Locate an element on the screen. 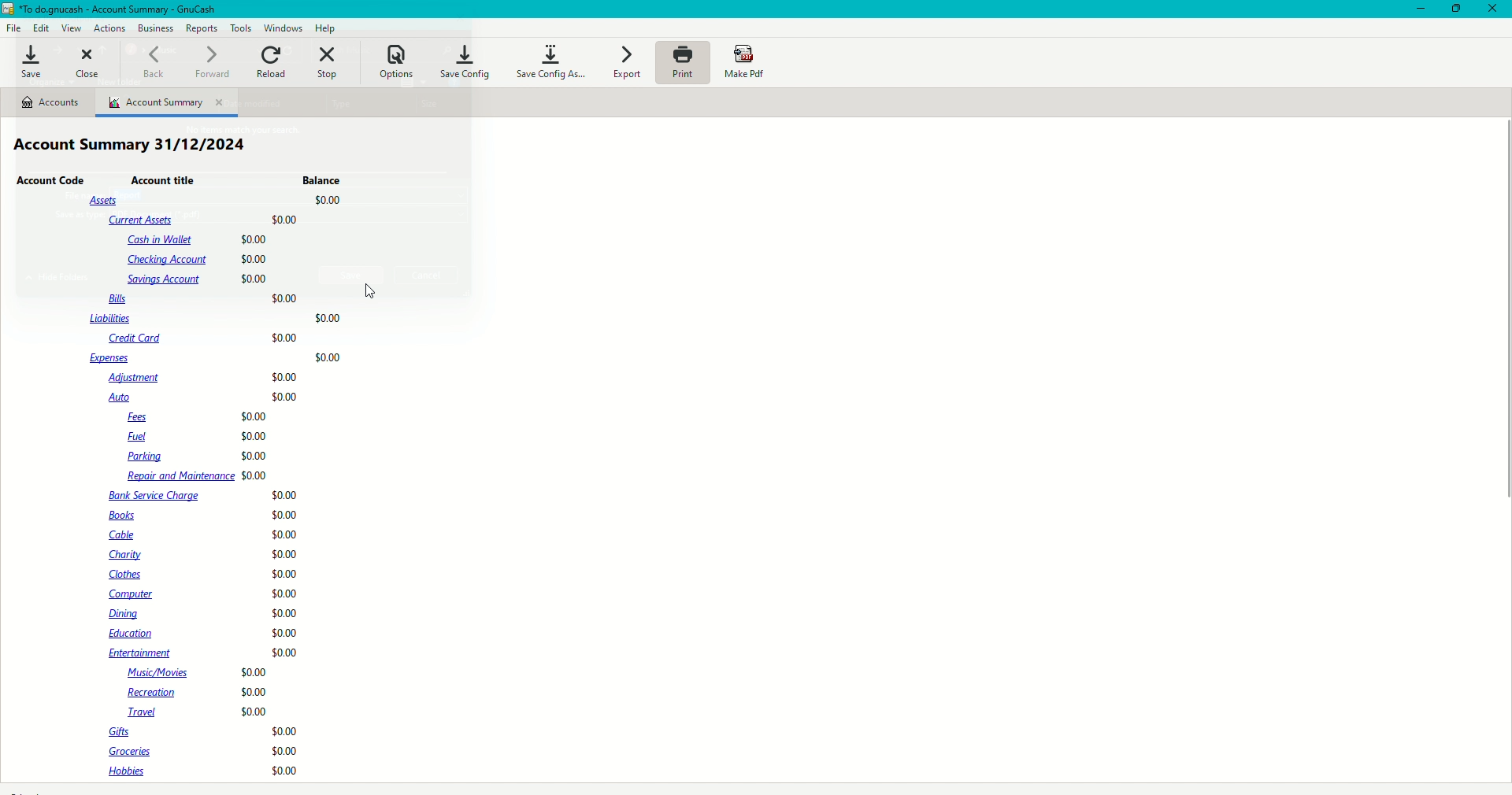  Restore is located at coordinates (1458, 8).